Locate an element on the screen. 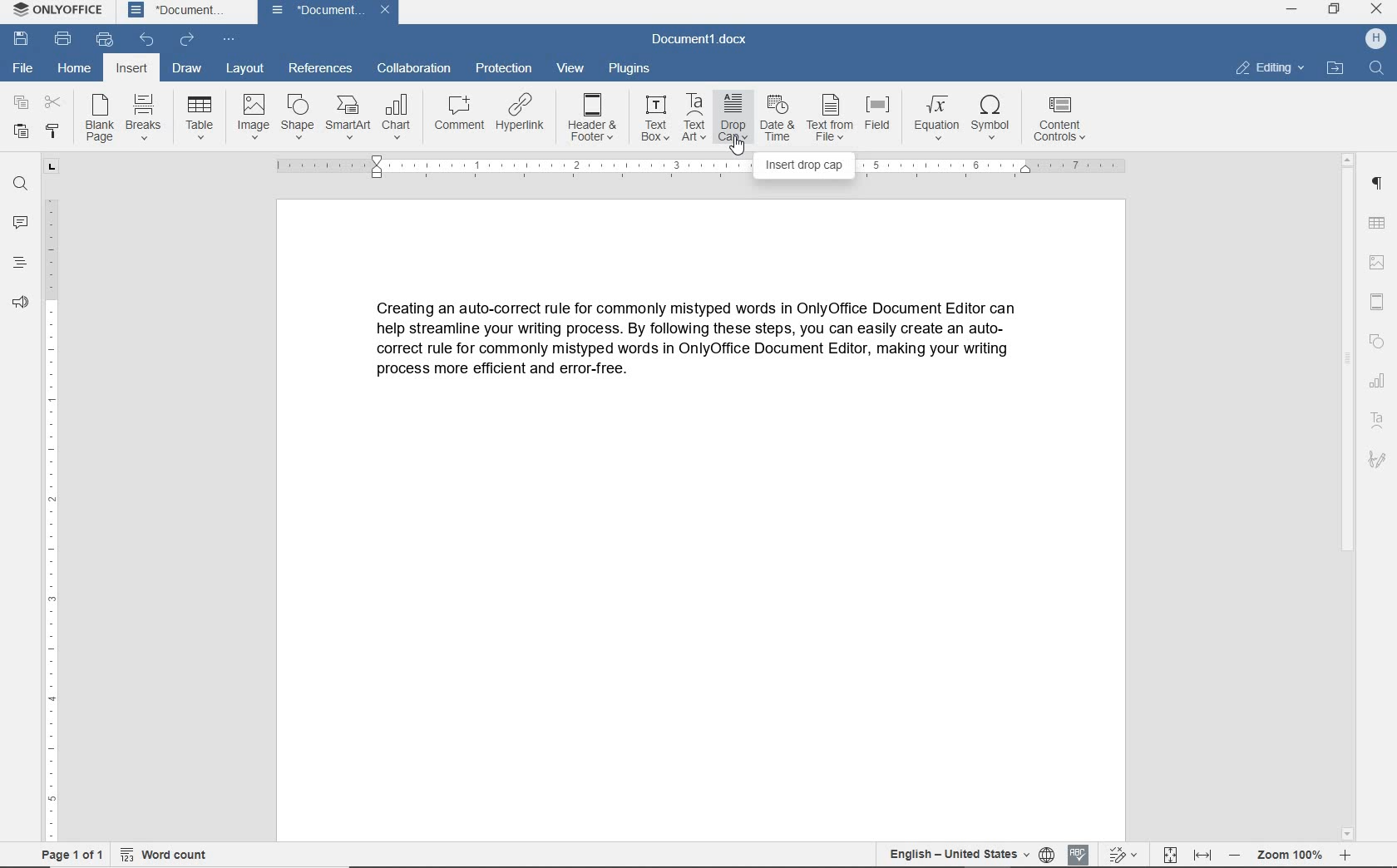  undo is located at coordinates (148, 40).